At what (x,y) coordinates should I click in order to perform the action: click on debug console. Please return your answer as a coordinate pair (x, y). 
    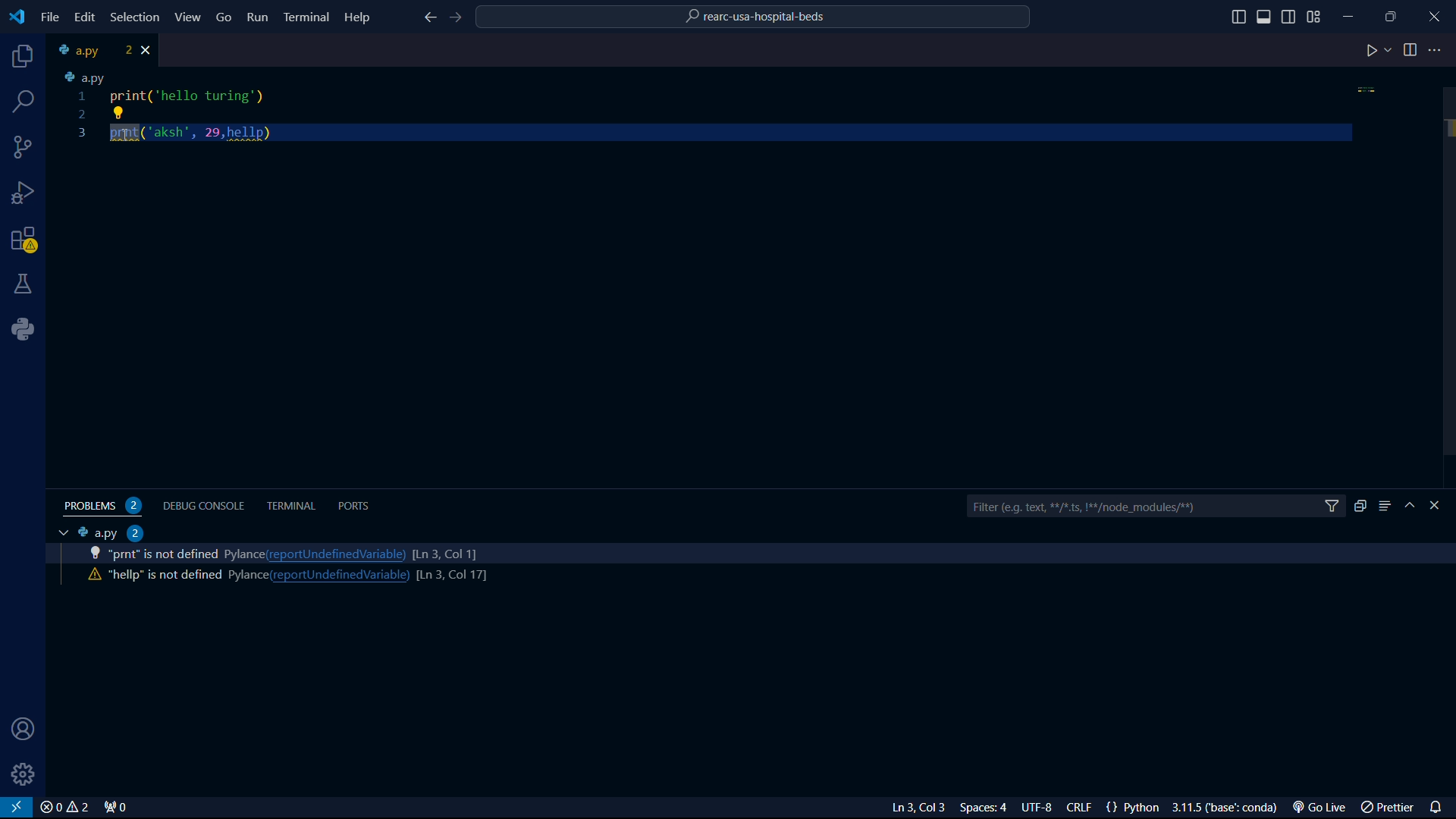
    Looking at the image, I should click on (206, 504).